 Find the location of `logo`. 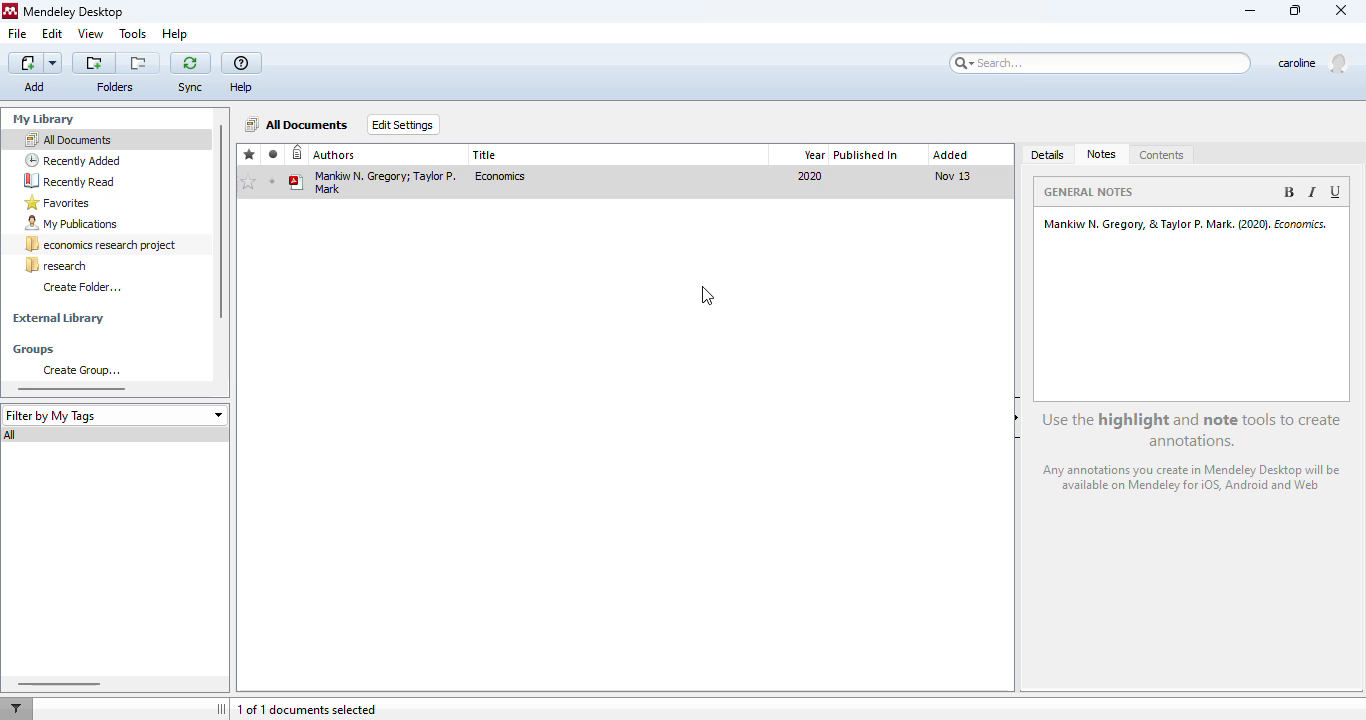

logo is located at coordinates (10, 11).